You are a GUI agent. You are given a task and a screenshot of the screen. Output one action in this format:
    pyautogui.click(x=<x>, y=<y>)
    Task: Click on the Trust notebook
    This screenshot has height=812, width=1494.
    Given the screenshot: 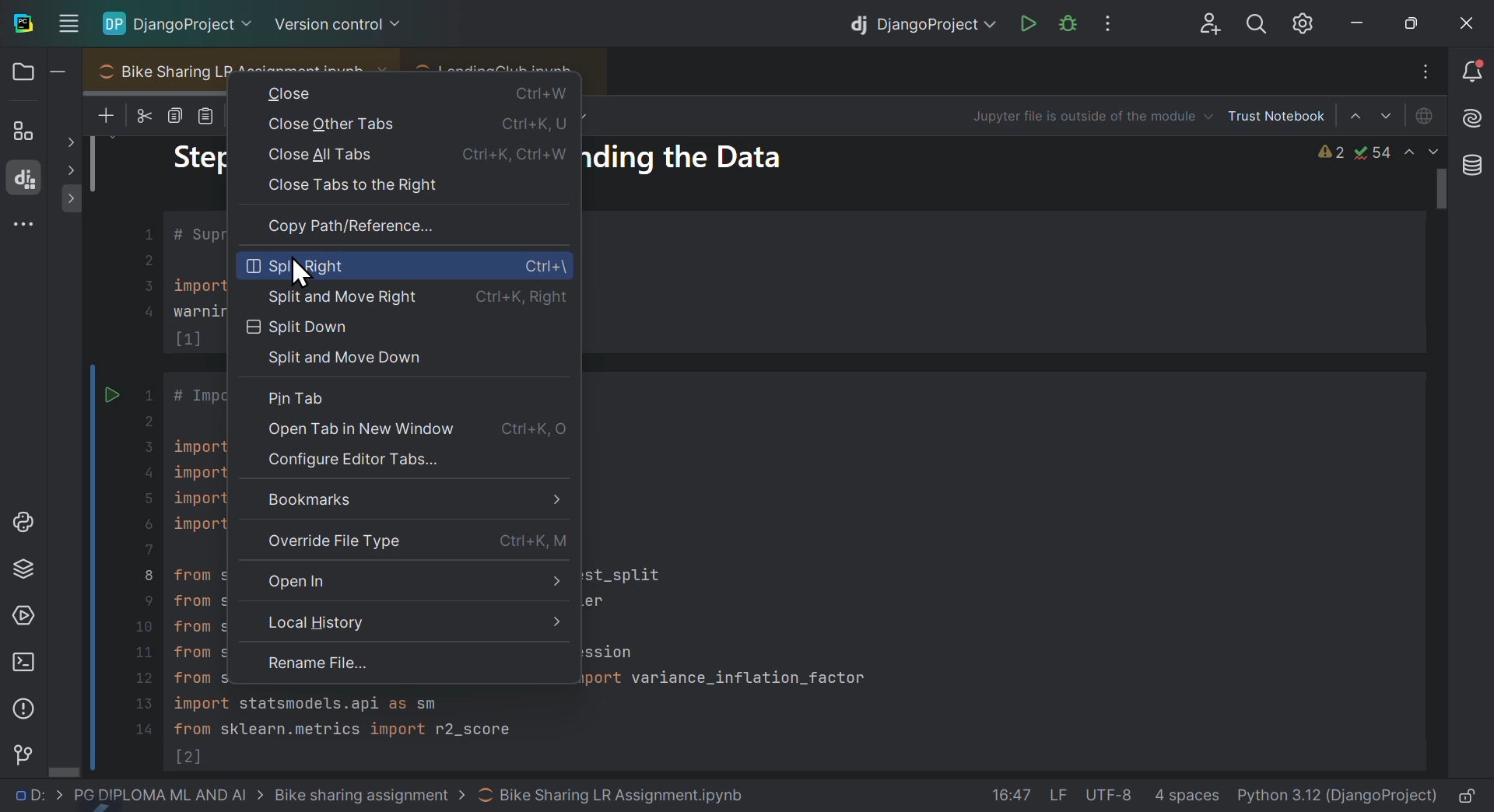 What is the action you would take?
    pyautogui.click(x=1277, y=119)
    